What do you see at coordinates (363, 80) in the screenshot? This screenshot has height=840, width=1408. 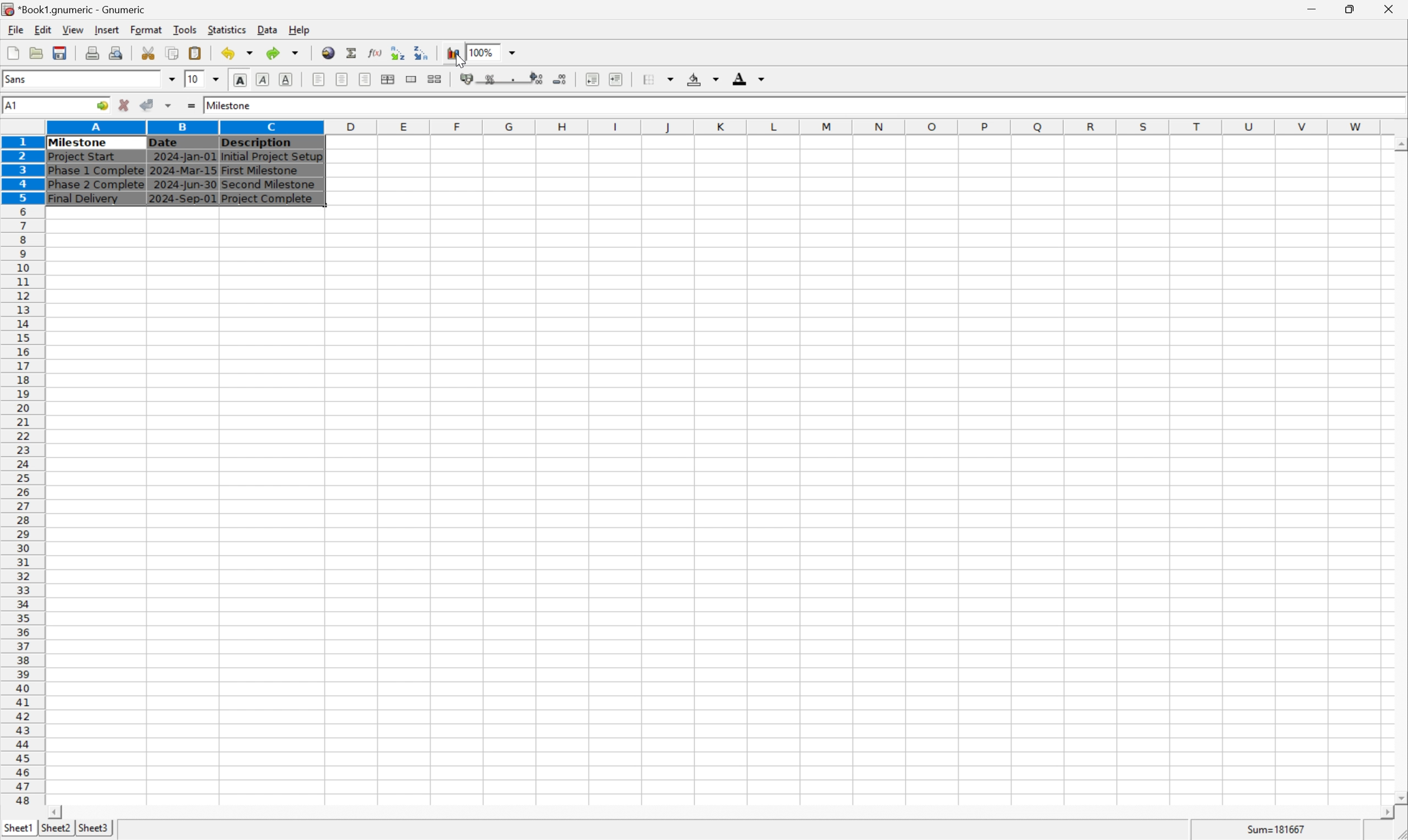 I see `align right` at bounding box center [363, 80].